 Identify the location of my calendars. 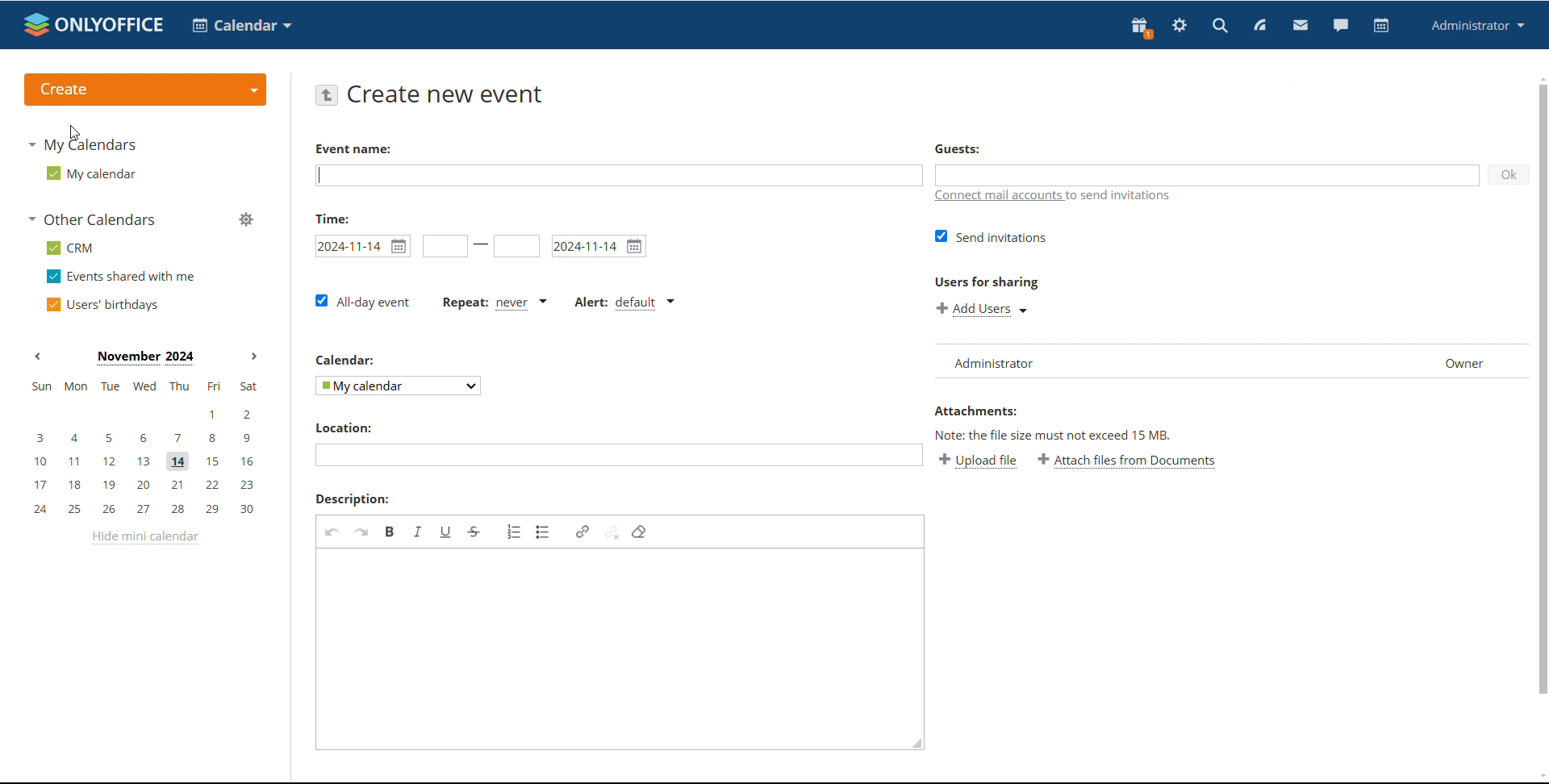
(81, 144).